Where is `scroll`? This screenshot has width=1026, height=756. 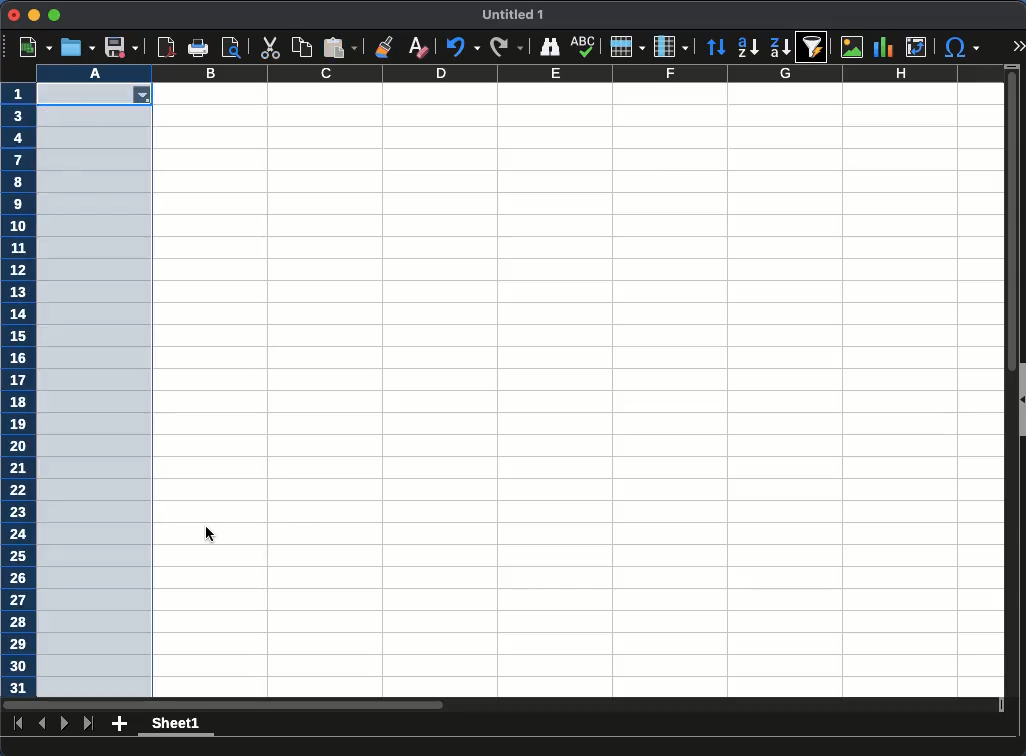
scroll is located at coordinates (1005, 389).